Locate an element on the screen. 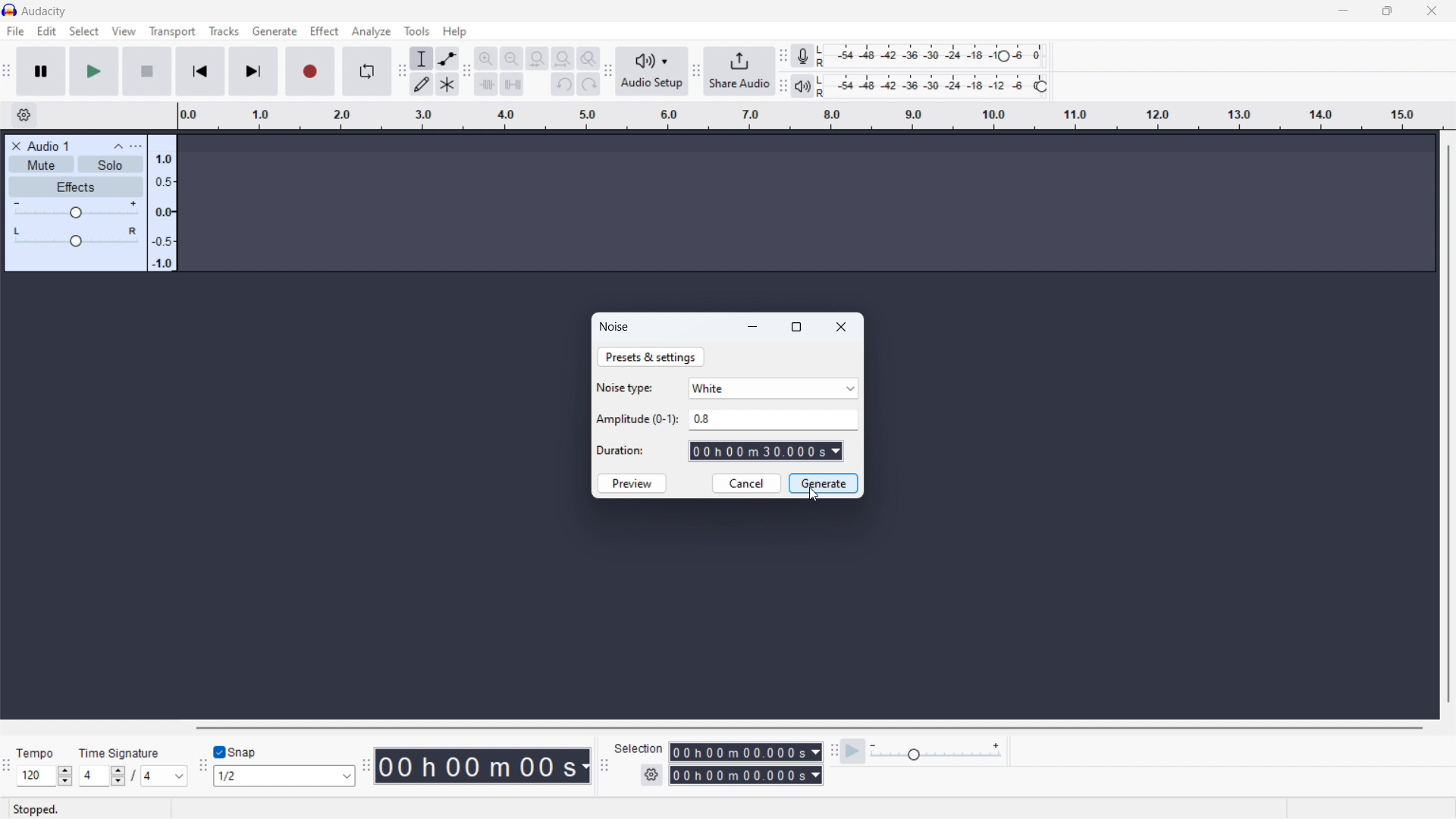 Image resolution: width=1456 pixels, height=819 pixels. horizontal scrollbar is located at coordinates (805, 727).